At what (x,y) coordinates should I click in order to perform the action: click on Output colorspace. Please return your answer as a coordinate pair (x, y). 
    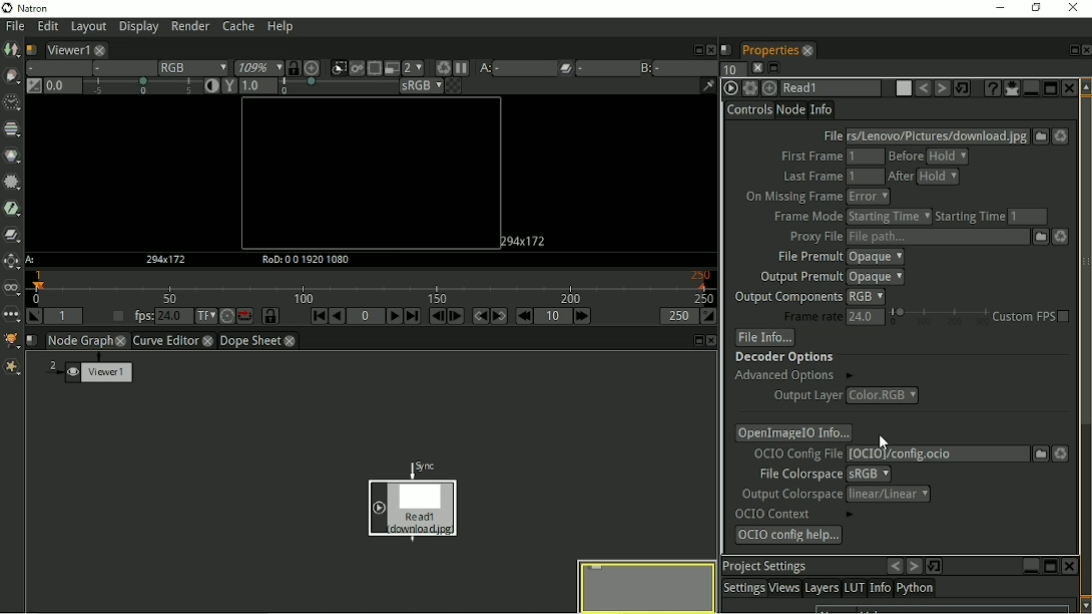
    Looking at the image, I should click on (840, 495).